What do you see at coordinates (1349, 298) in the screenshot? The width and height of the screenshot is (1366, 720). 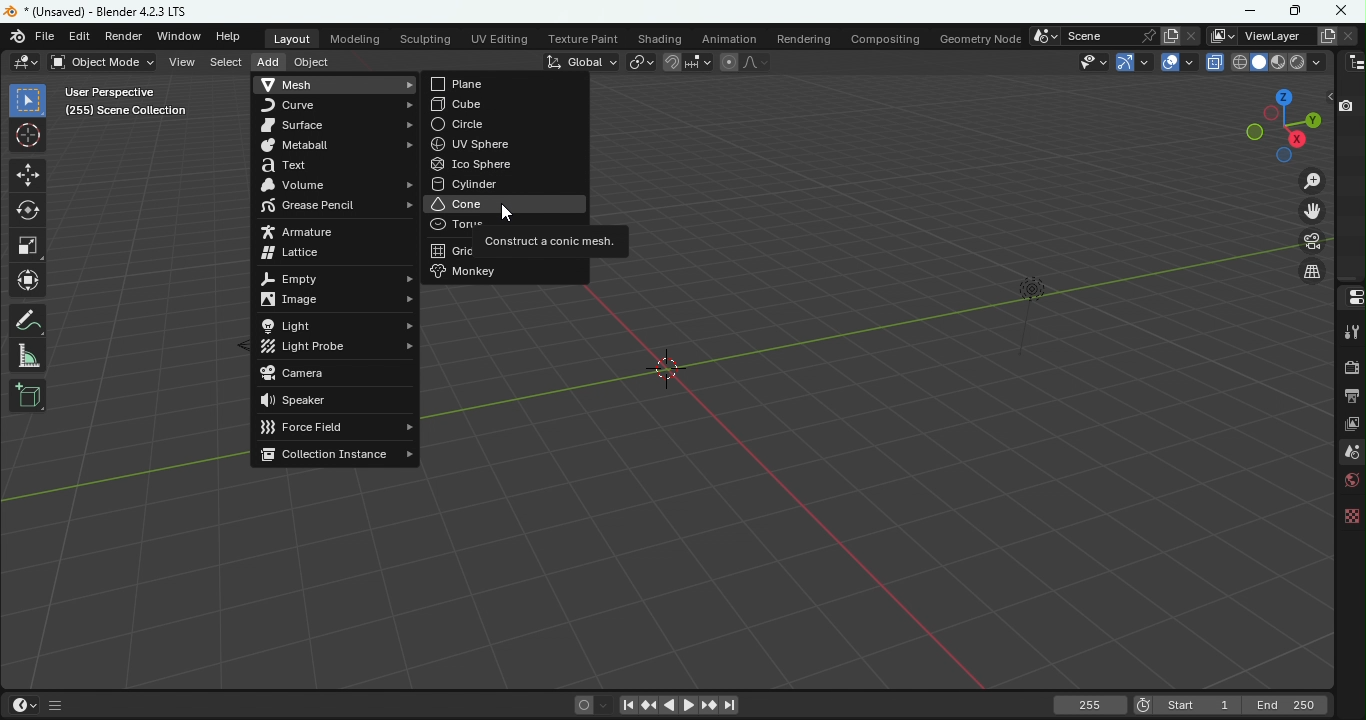 I see `Editor type` at bounding box center [1349, 298].